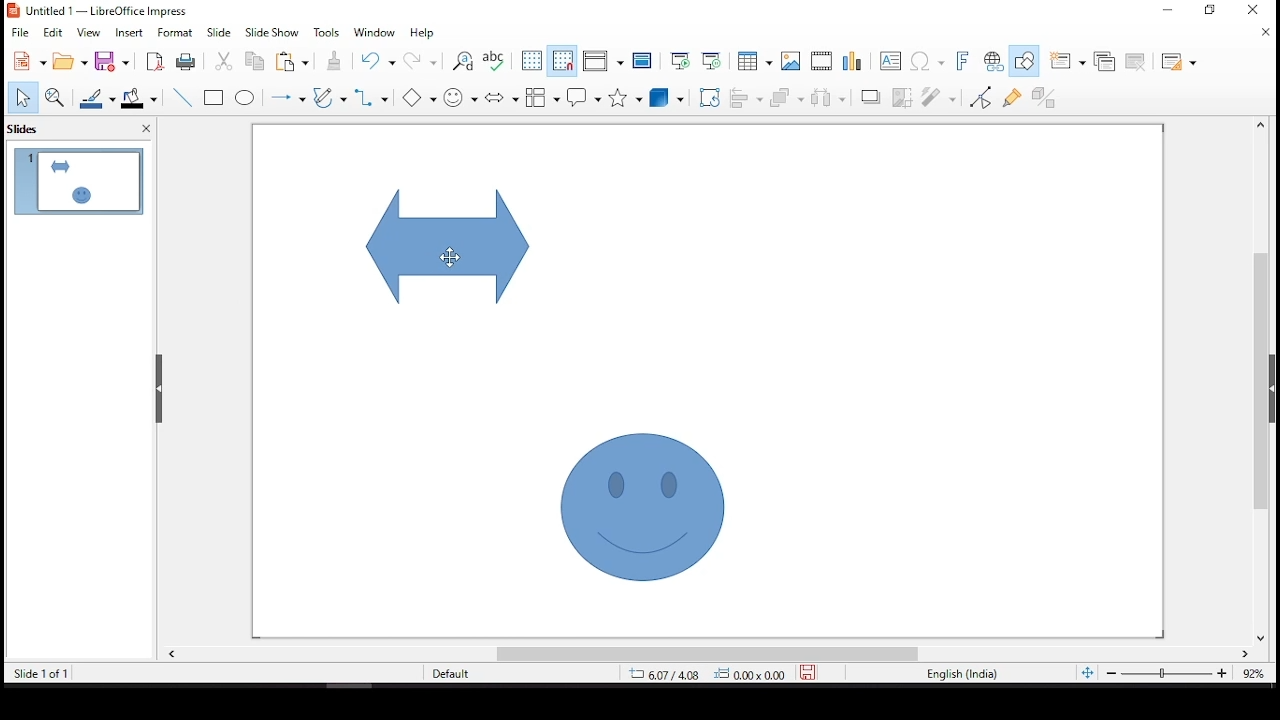 This screenshot has width=1280, height=720. What do you see at coordinates (53, 31) in the screenshot?
I see `edit` at bounding box center [53, 31].